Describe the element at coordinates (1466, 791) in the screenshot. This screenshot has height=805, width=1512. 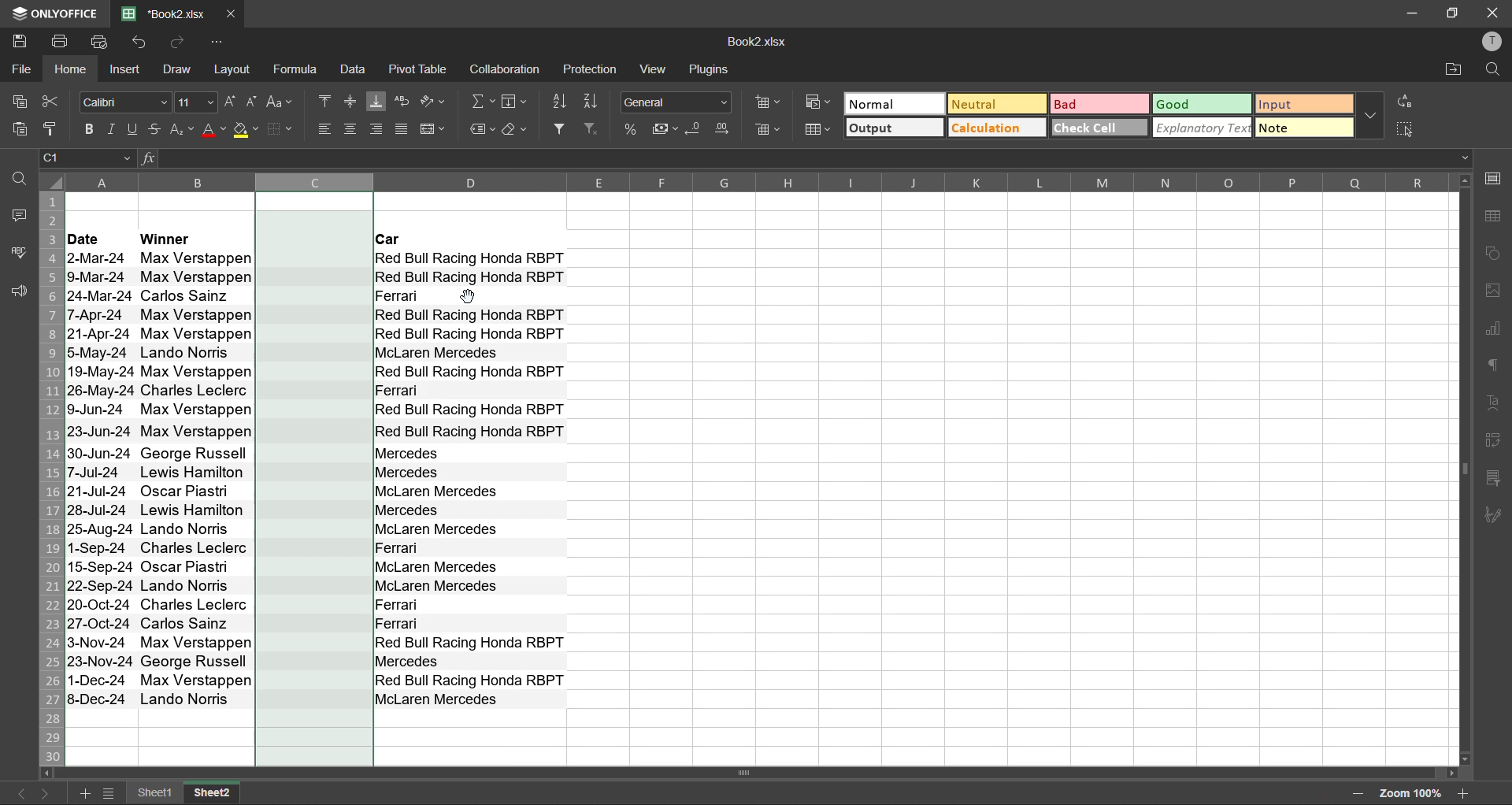
I see `zoom in` at that location.